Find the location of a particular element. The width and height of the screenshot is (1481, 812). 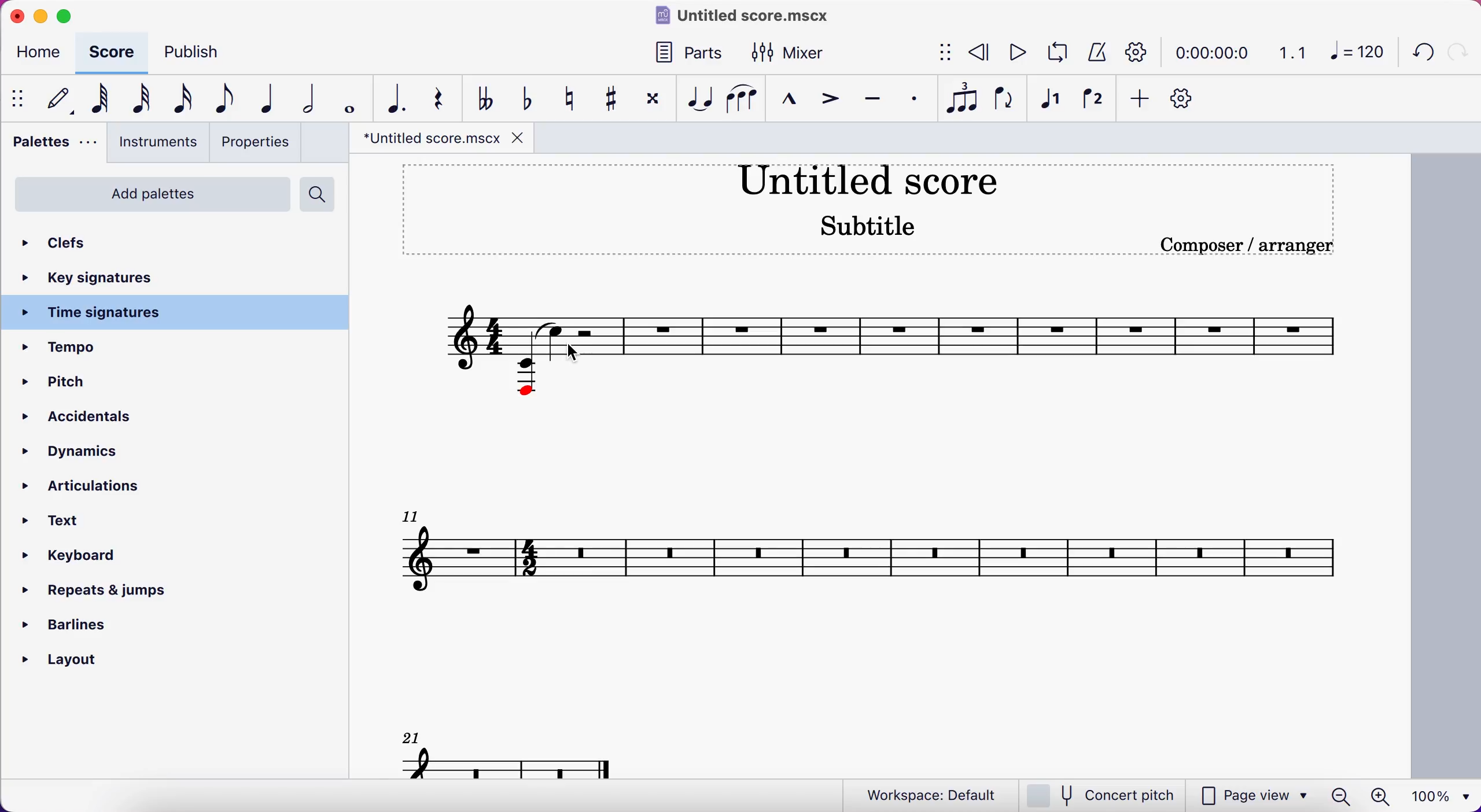

articulations is located at coordinates (105, 488).